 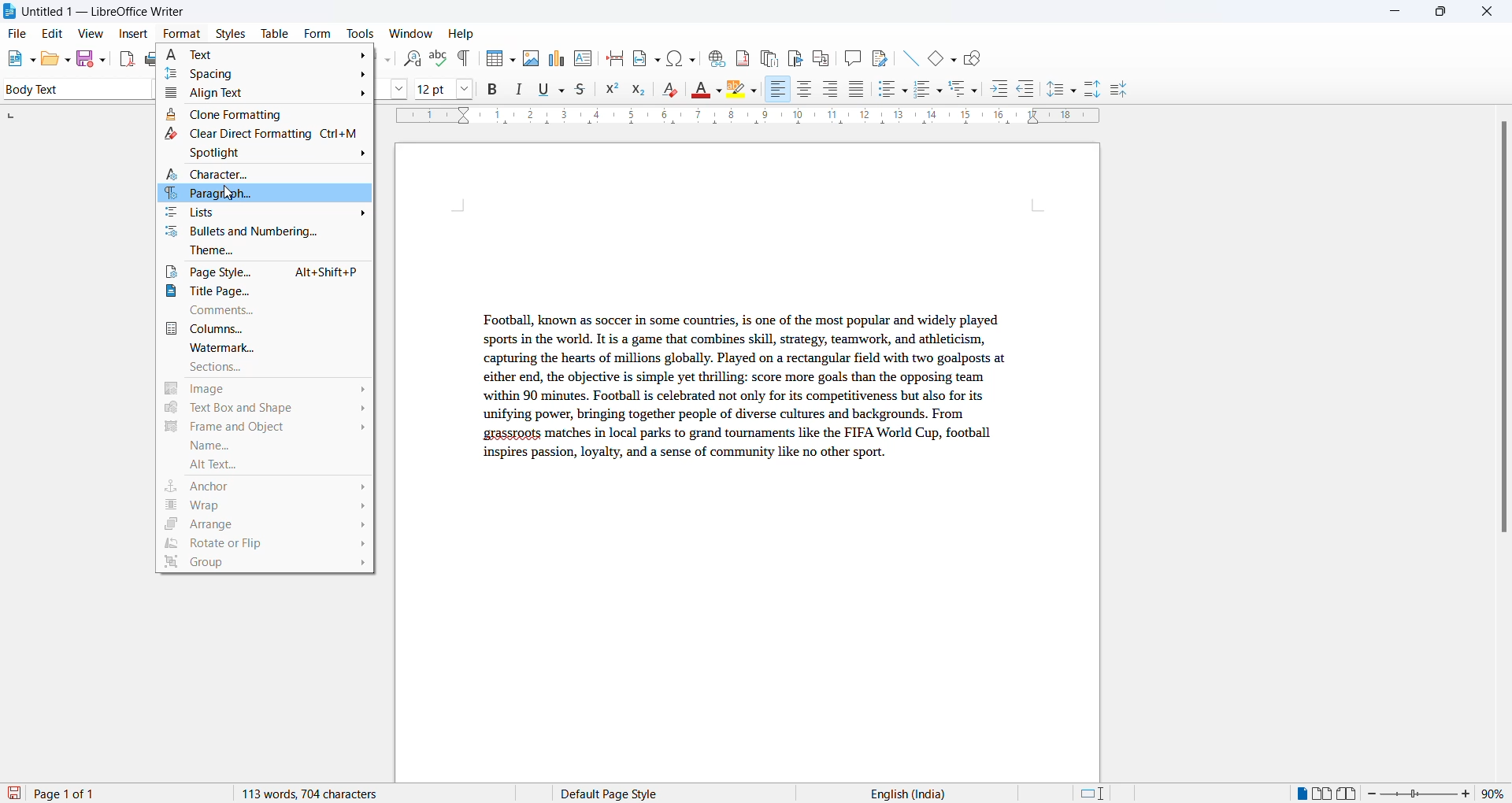 What do you see at coordinates (833, 90) in the screenshot?
I see `text align right` at bounding box center [833, 90].